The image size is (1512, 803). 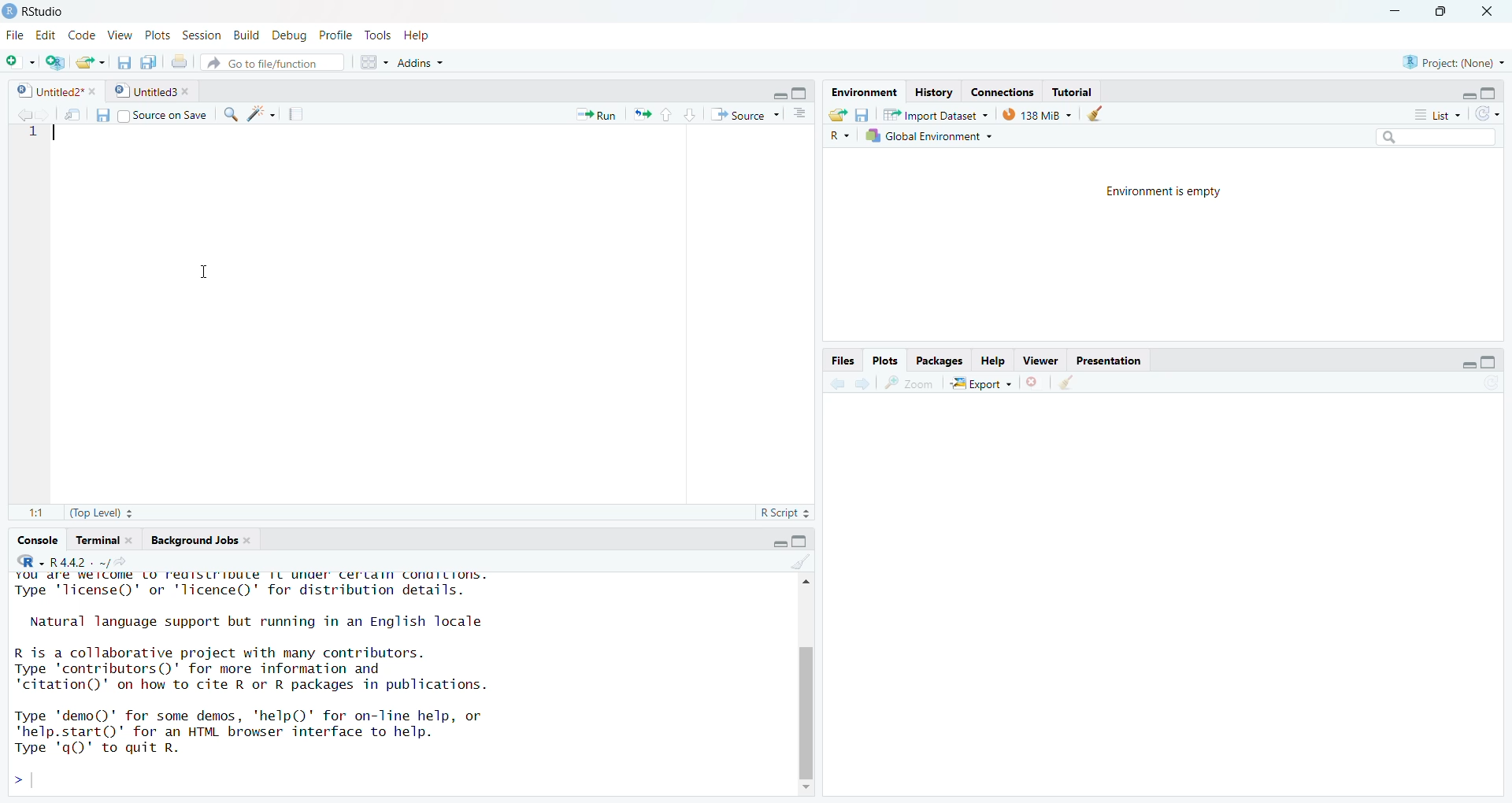 What do you see at coordinates (370, 62) in the screenshot?
I see `workspaces panes` at bounding box center [370, 62].